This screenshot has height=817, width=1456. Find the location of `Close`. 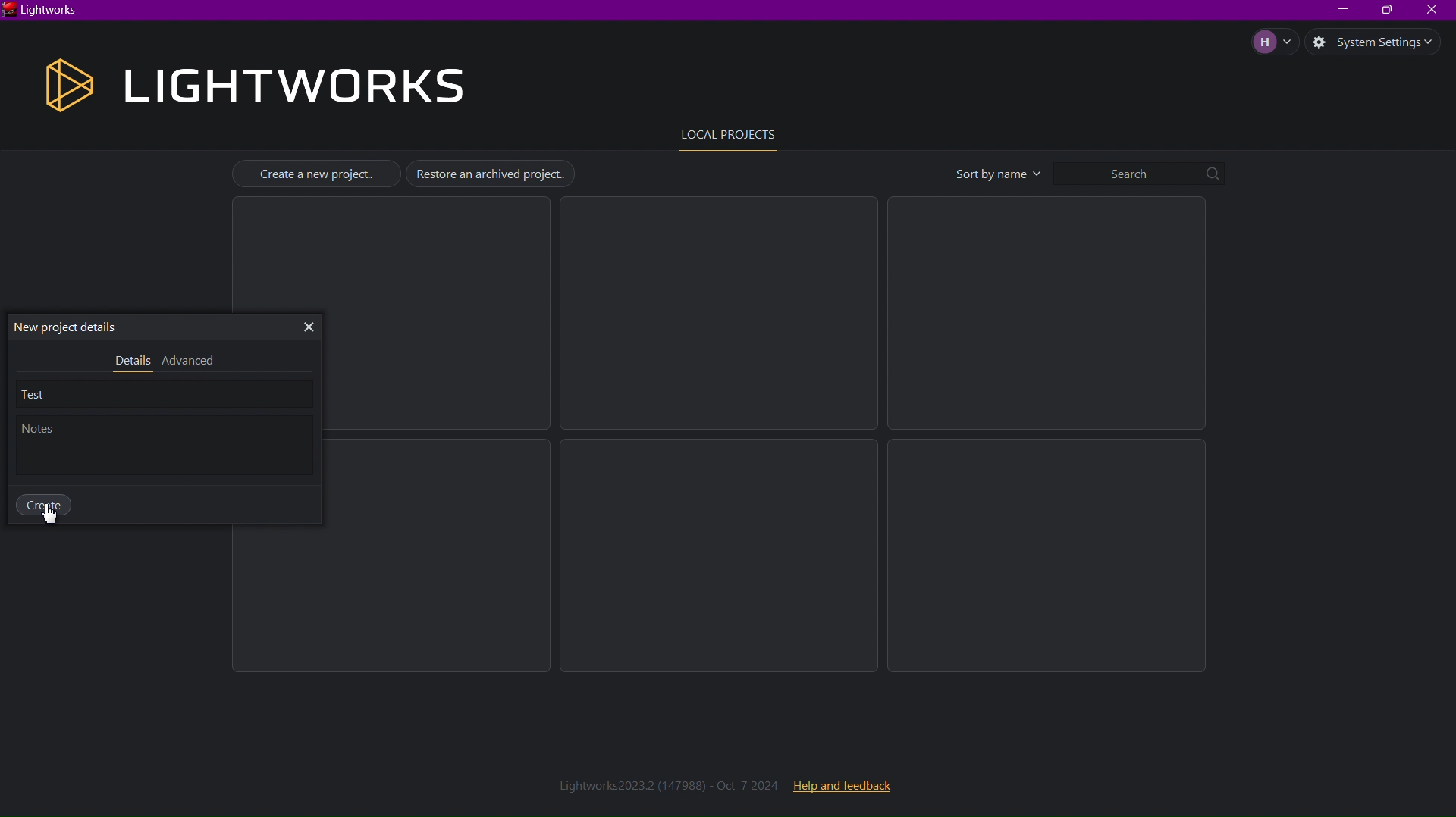

Close is located at coordinates (307, 328).